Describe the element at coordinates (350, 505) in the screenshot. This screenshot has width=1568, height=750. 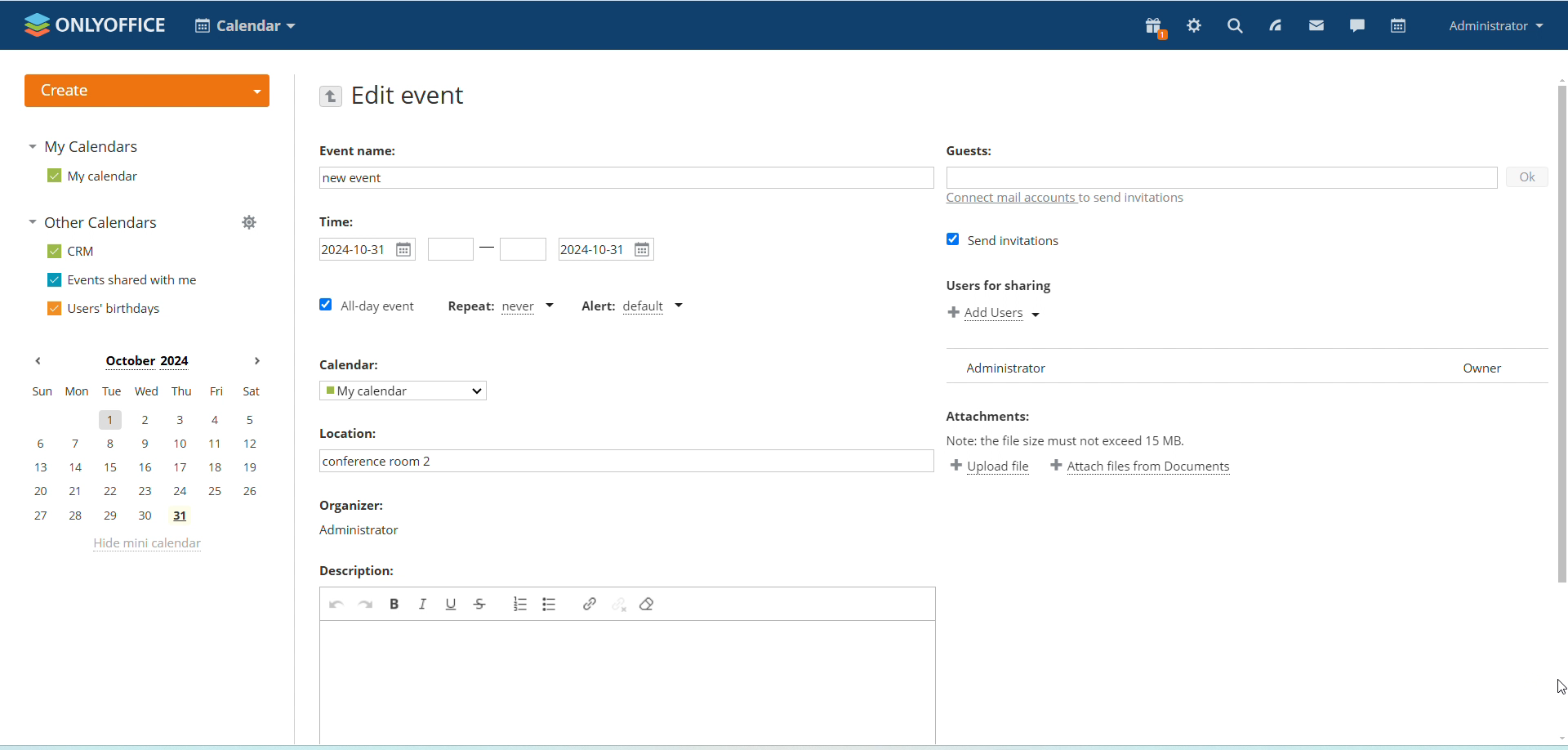
I see `Organizer` at that location.